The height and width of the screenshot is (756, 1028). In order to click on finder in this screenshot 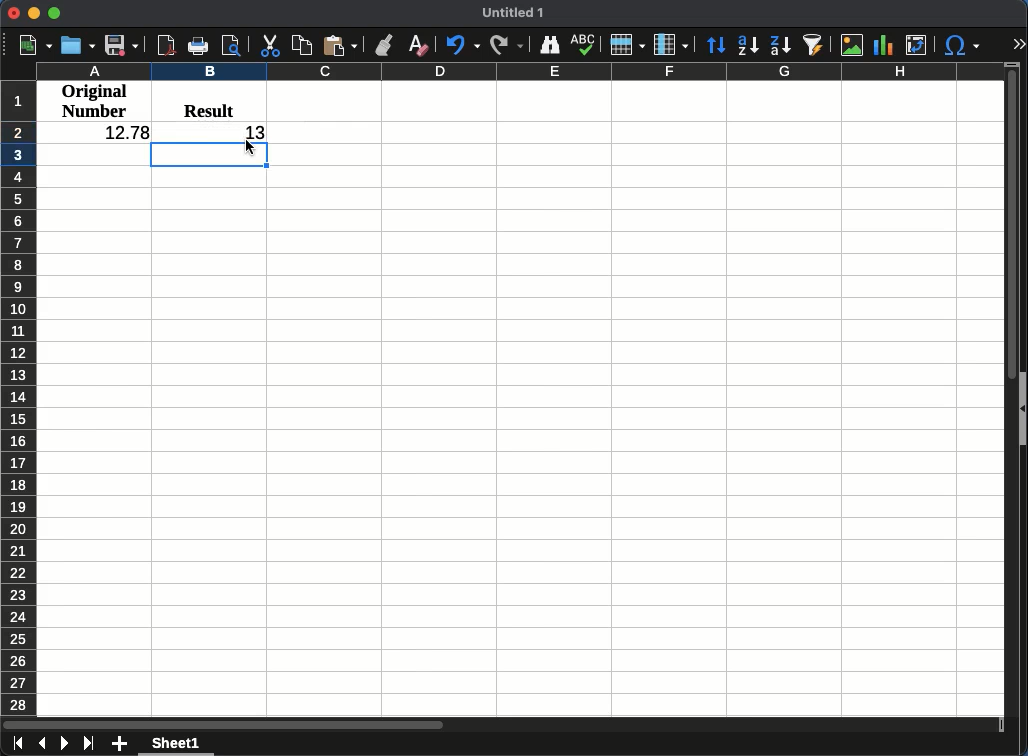, I will do `click(550, 44)`.